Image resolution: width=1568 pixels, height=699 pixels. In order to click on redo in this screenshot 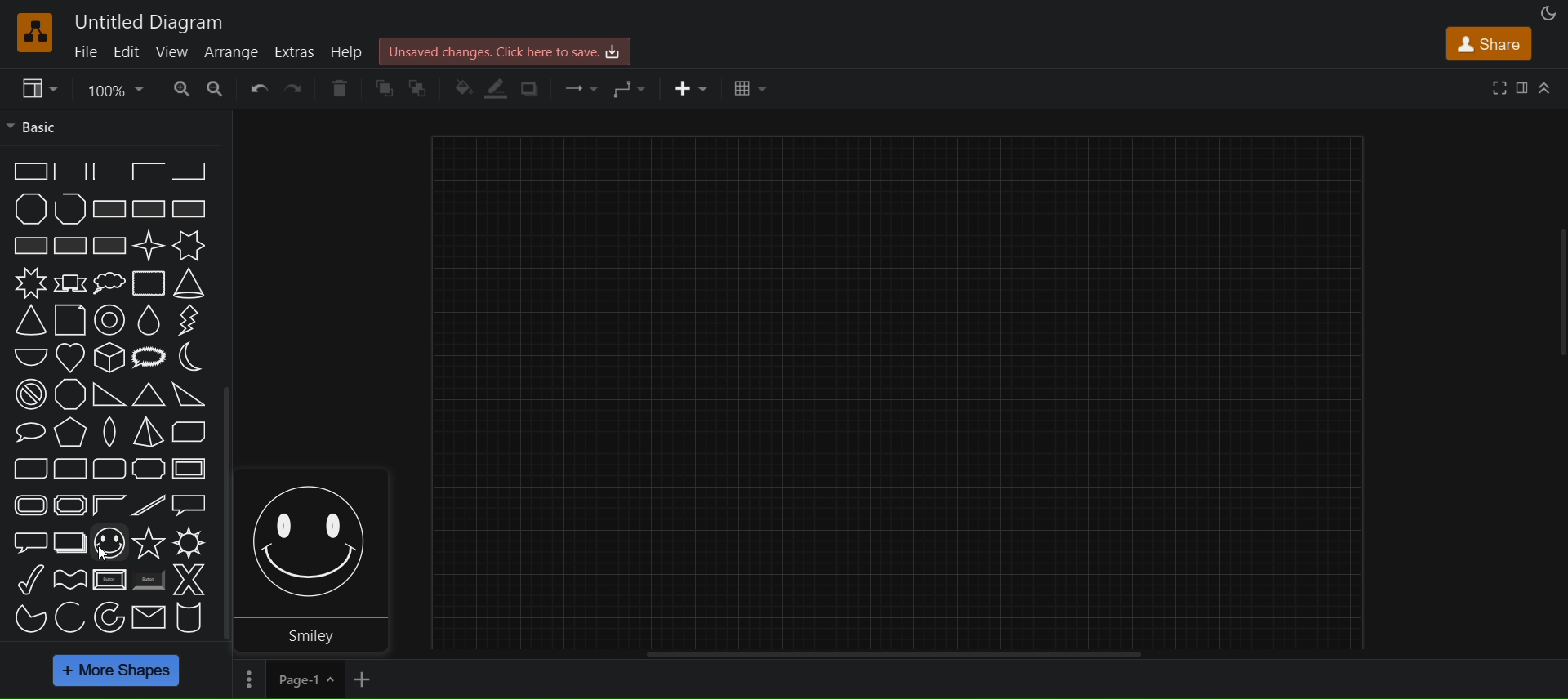, I will do `click(295, 87)`.